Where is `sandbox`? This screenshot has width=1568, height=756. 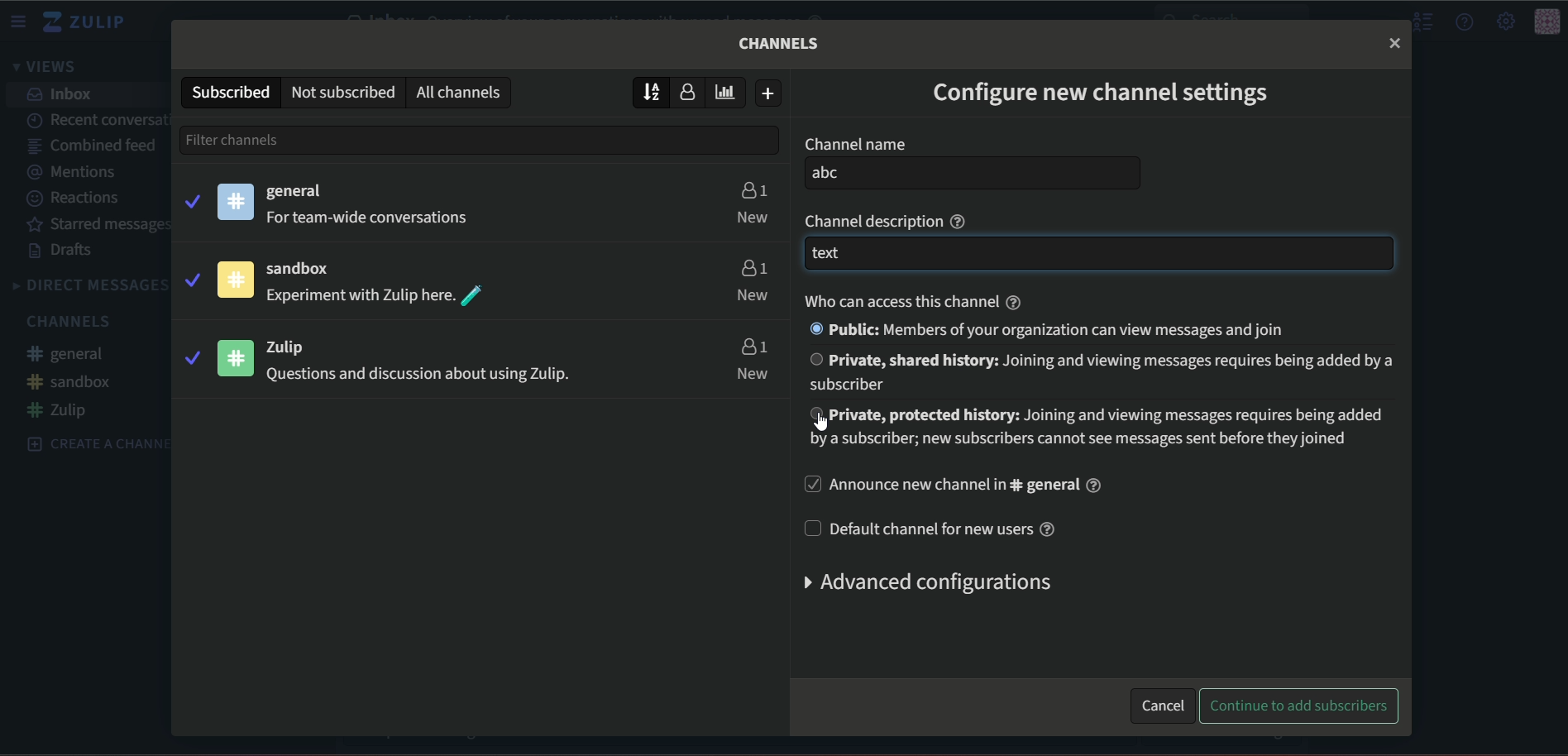
sandbox is located at coordinates (308, 270).